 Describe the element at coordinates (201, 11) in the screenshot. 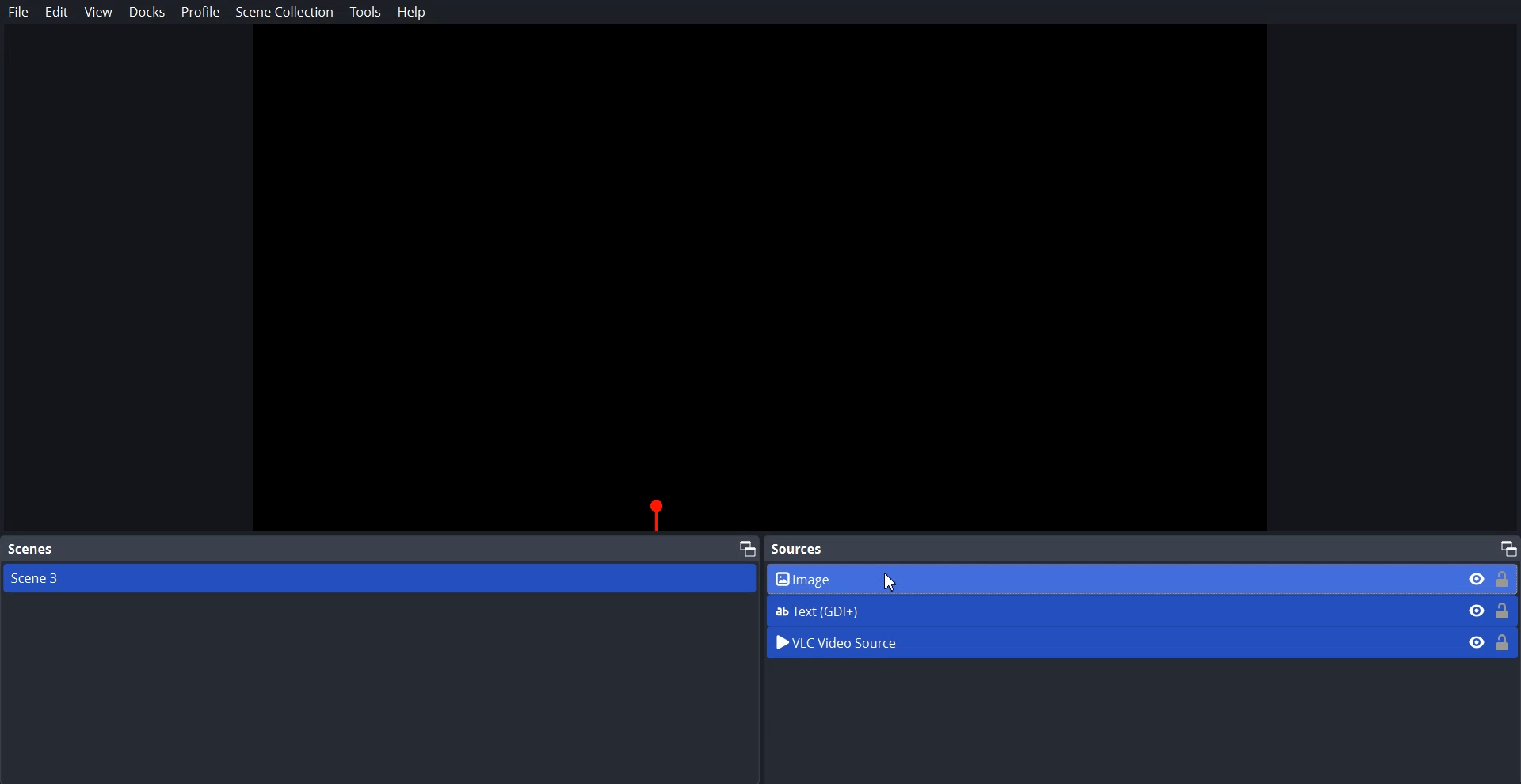

I see `Profile` at that location.